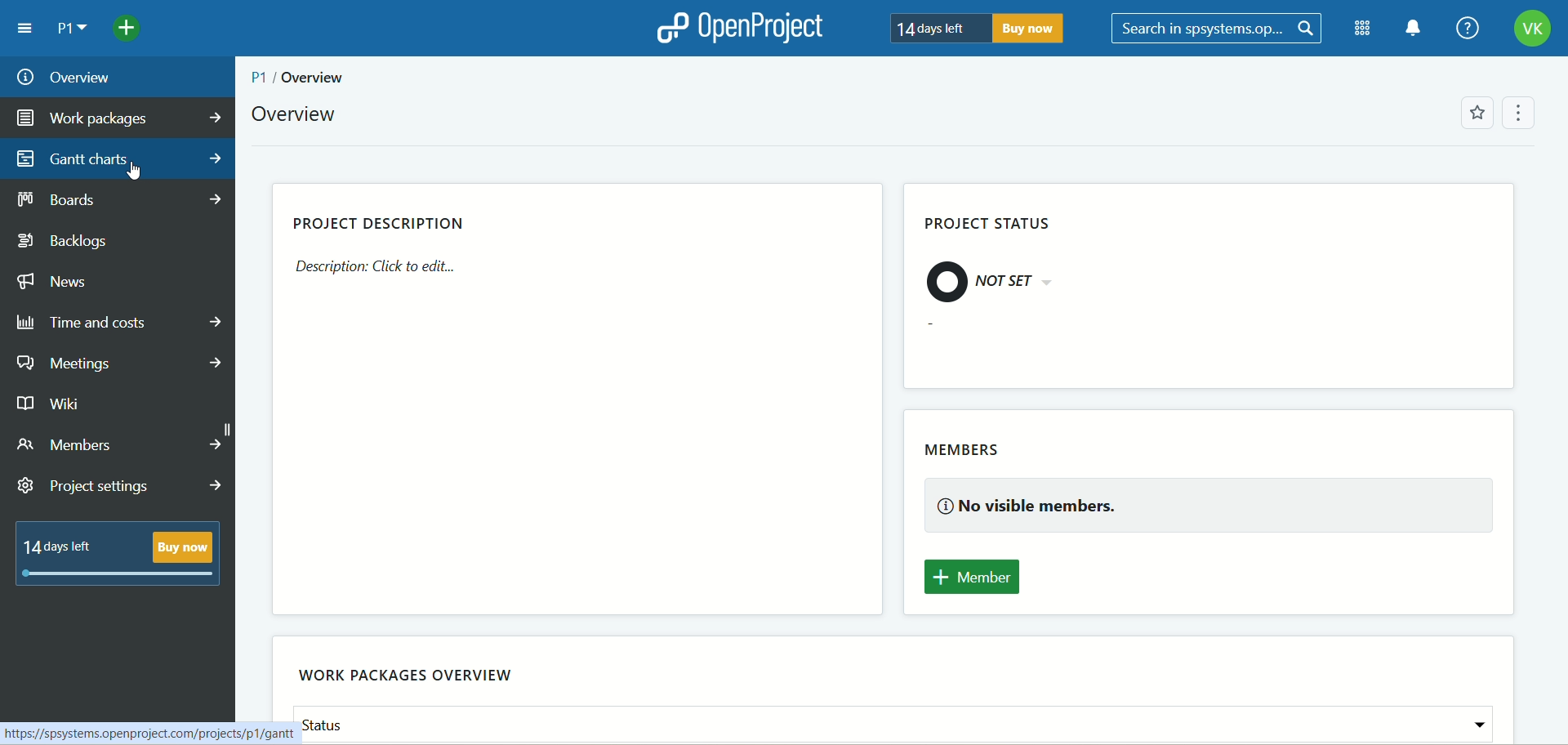  Describe the element at coordinates (1218, 29) in the screenshot. I see `search` at that location.